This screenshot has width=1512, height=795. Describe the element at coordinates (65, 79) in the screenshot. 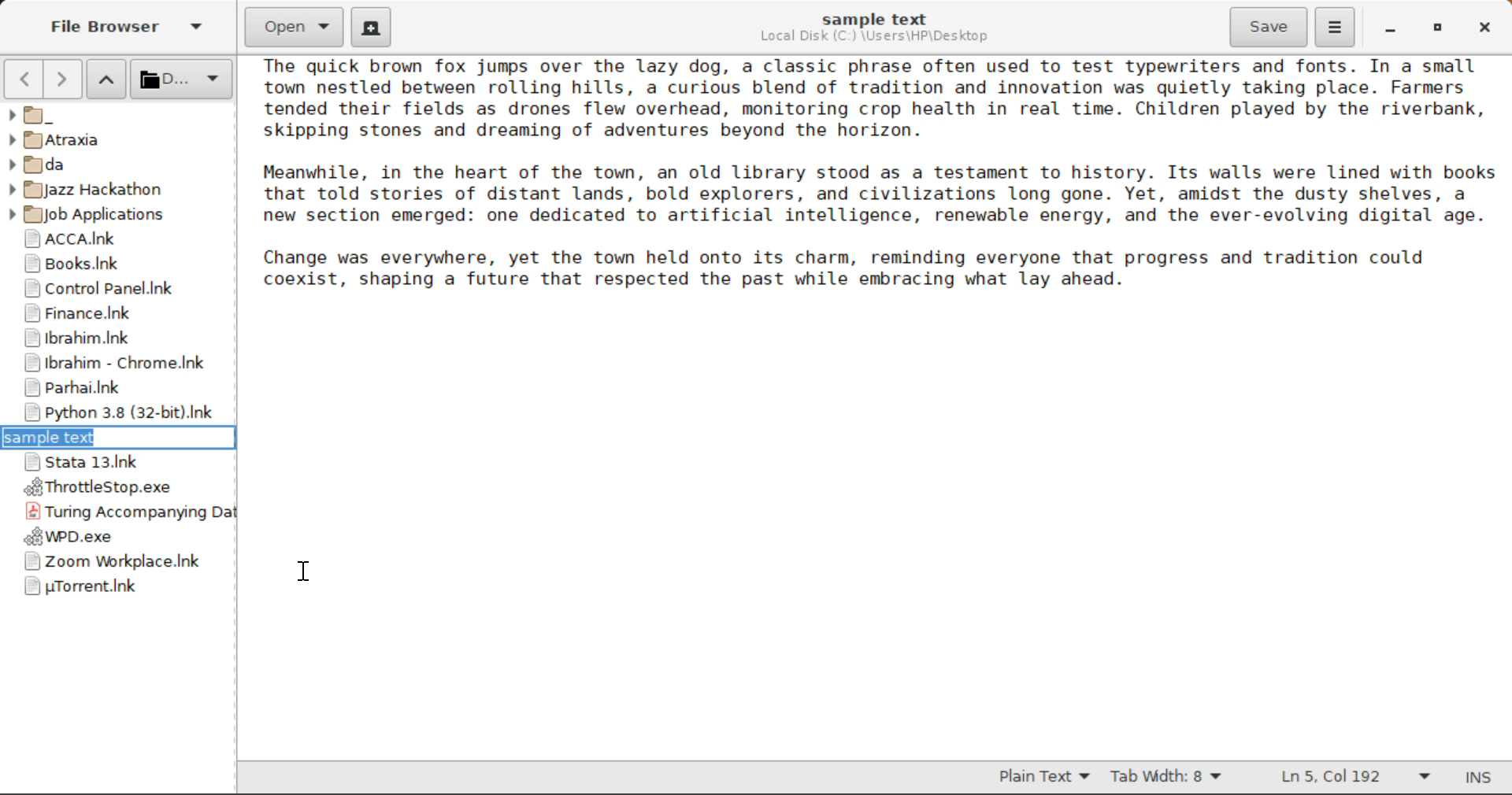

I see `Next Page` at that location.